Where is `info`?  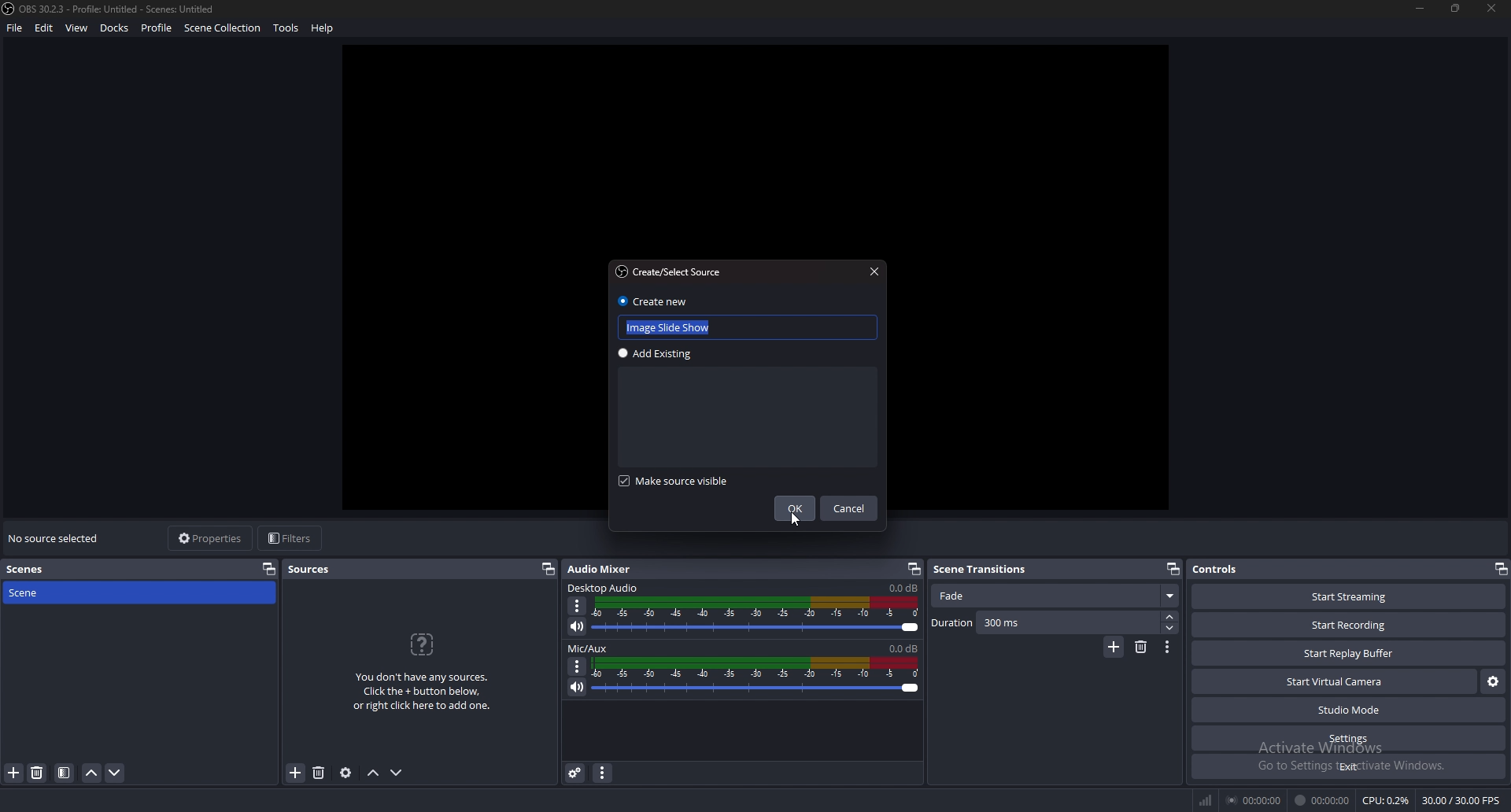
info is located at coordinates (422, 670).